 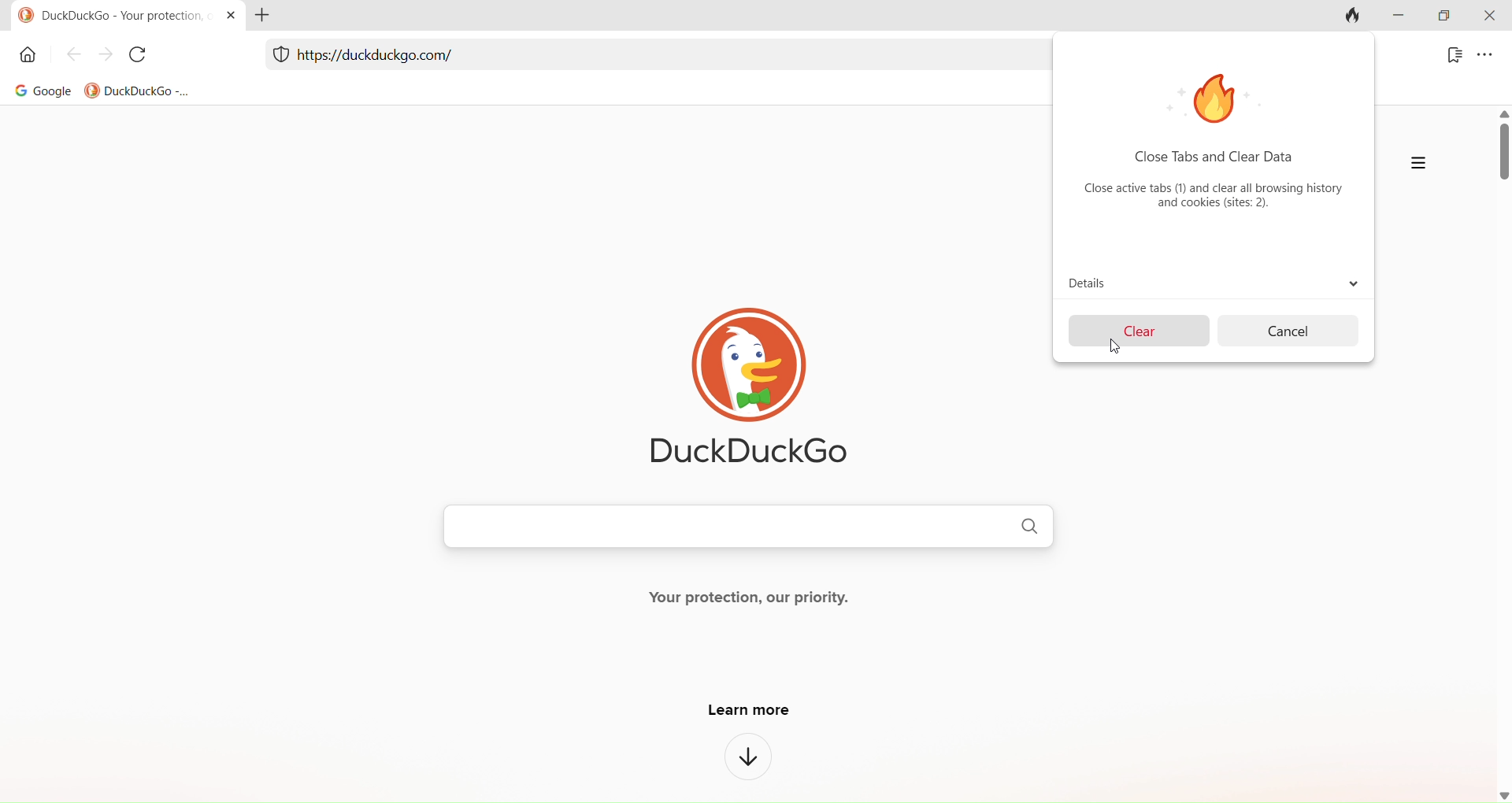 I want to click on DuckDuckGo, so click(x=769, y=388).